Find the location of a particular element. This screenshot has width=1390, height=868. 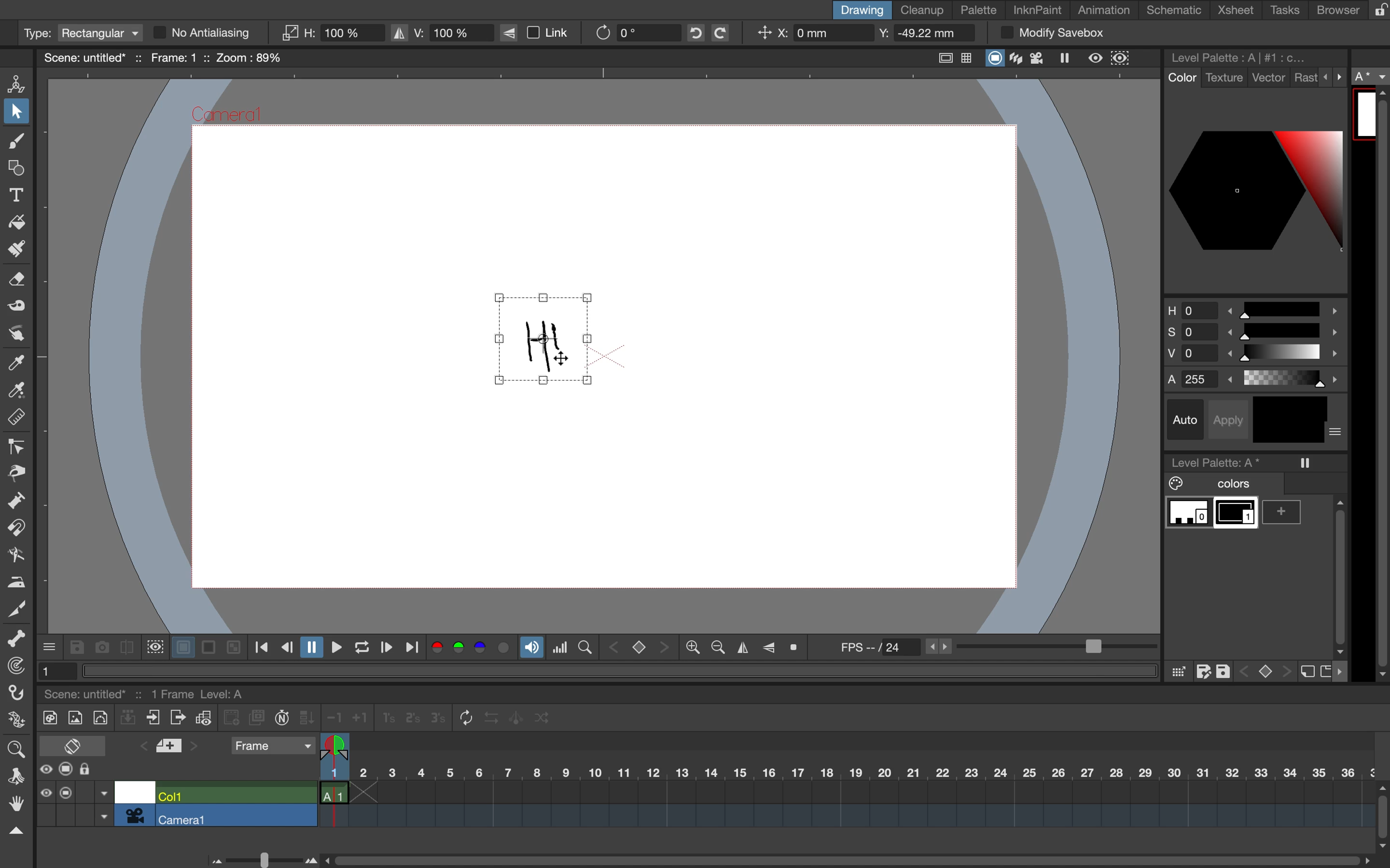

flip vertically is located at coordinates (769, 646).